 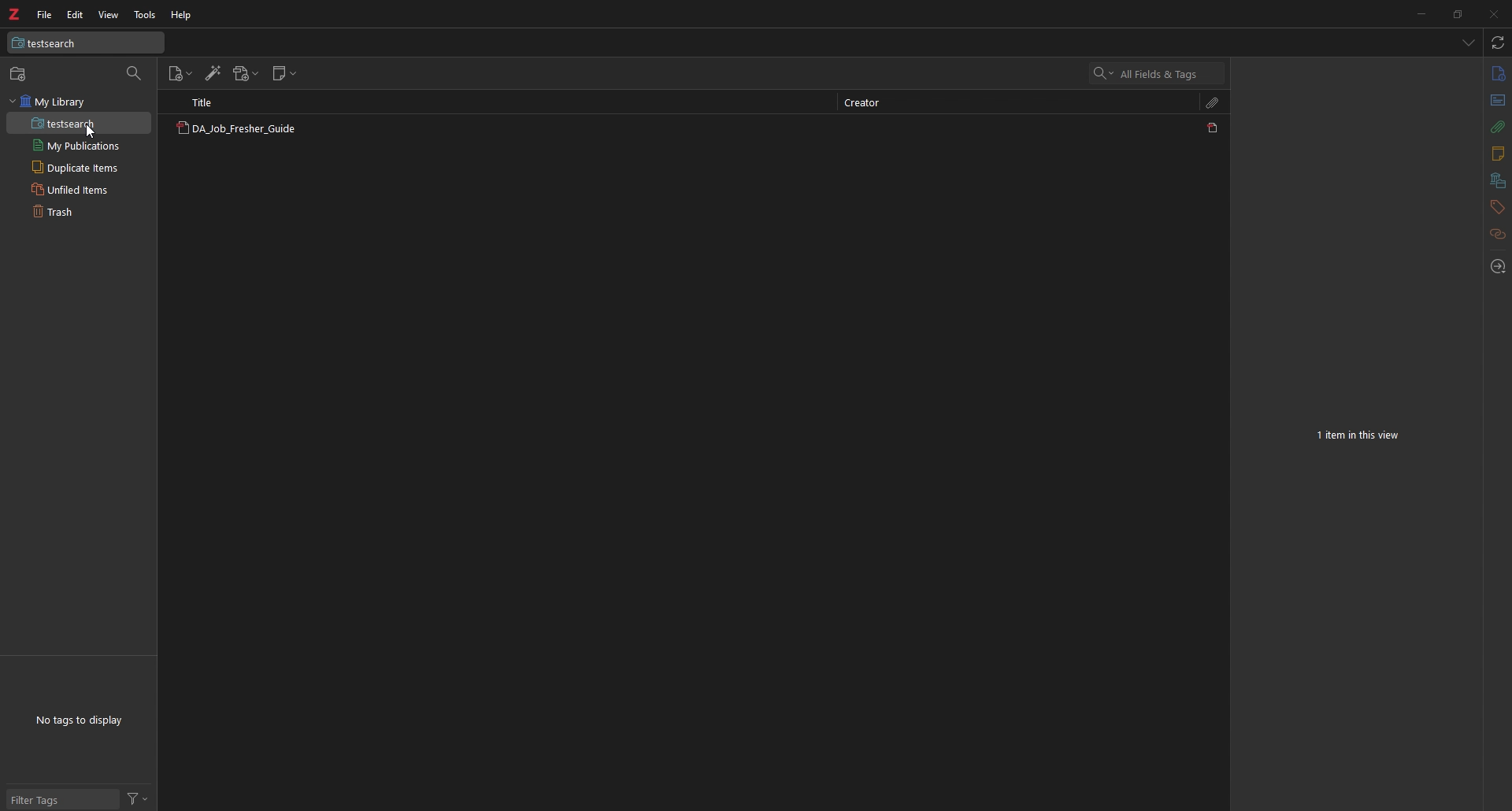 What do you see at coordinates (108, 15) in the screenshot?
I see `view` at bounding box center [108, 15].